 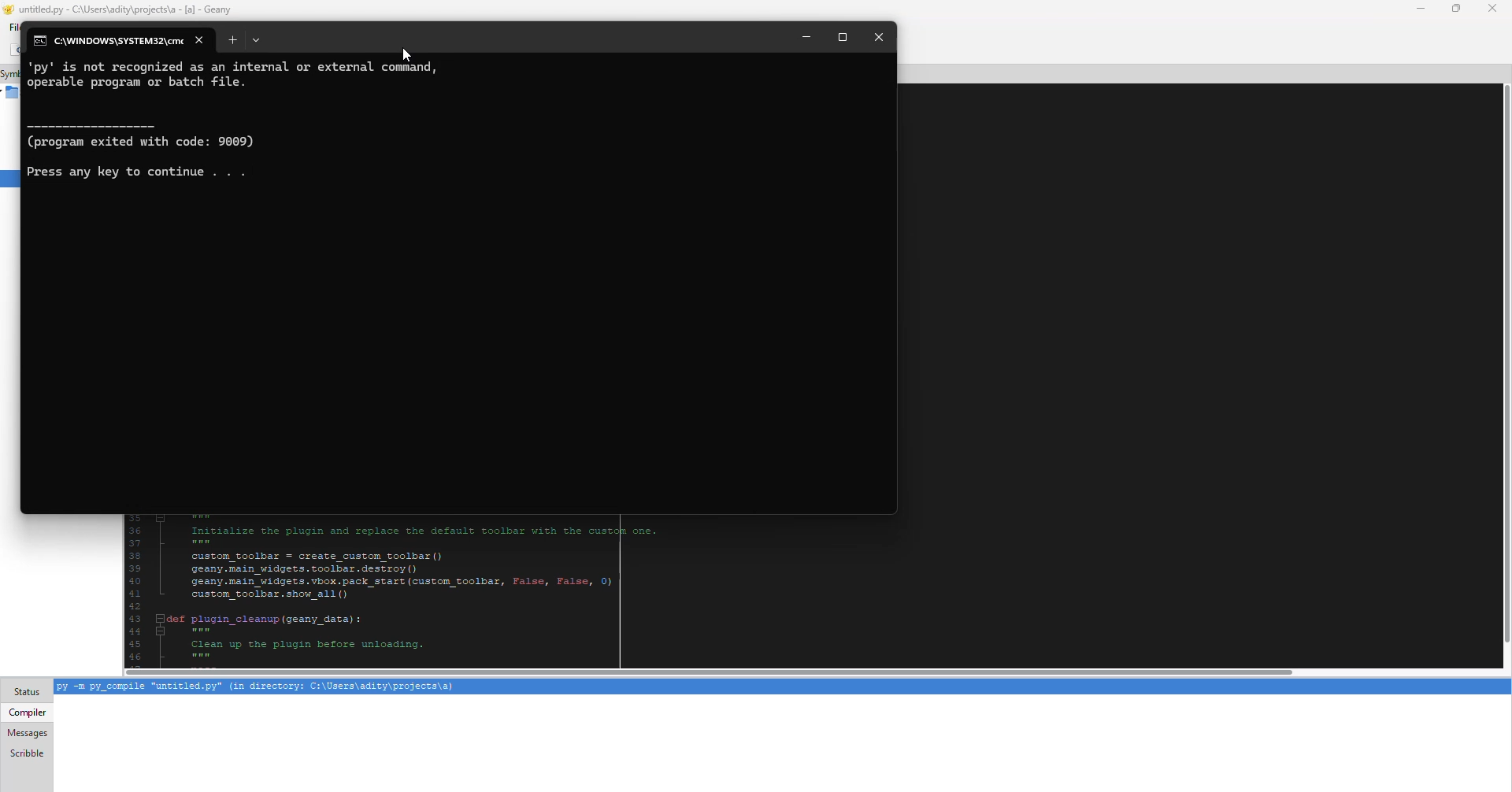 What do you see at coordinates (256, 40) in the screenshot?
I see `tab` at bounding box center [256, 40].